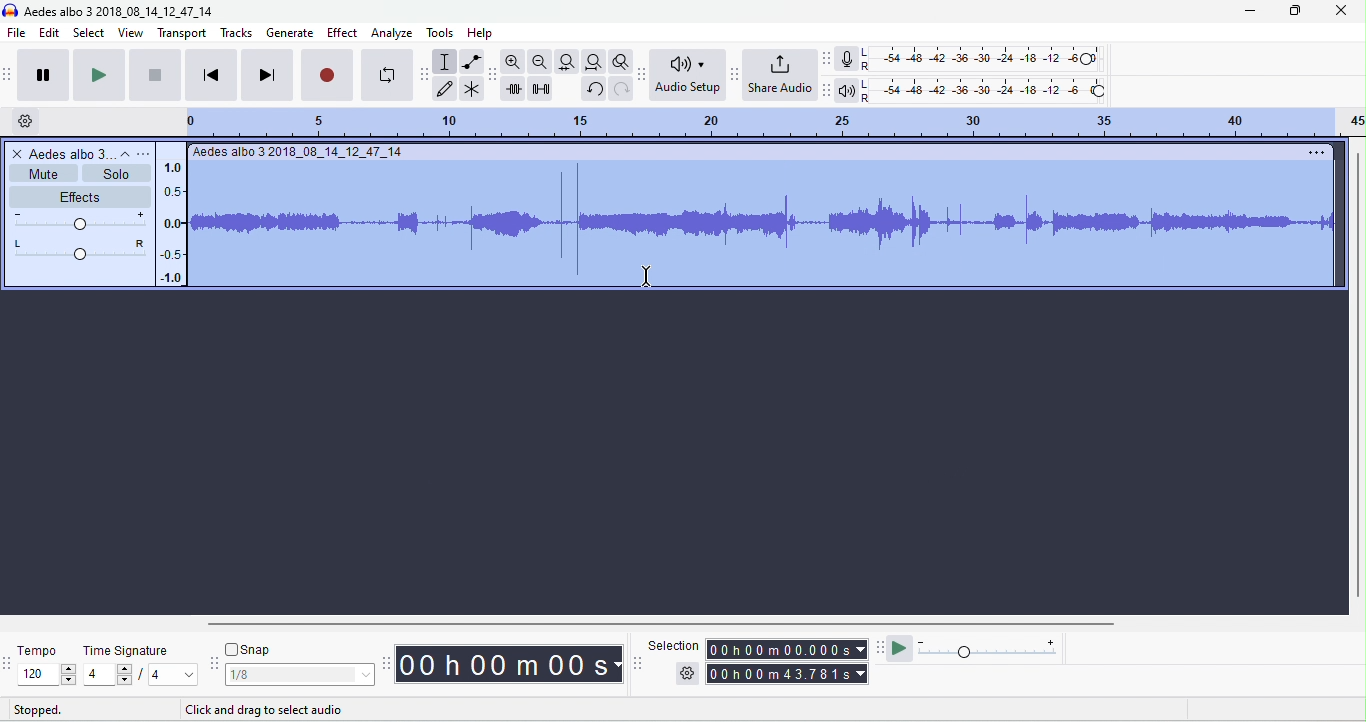 This screenshot has width=1366, height=722. What do you see at coordinates (427, 74) in the screenshot?
I see `audacity tools toolbar` at bounding box center [427, 74].